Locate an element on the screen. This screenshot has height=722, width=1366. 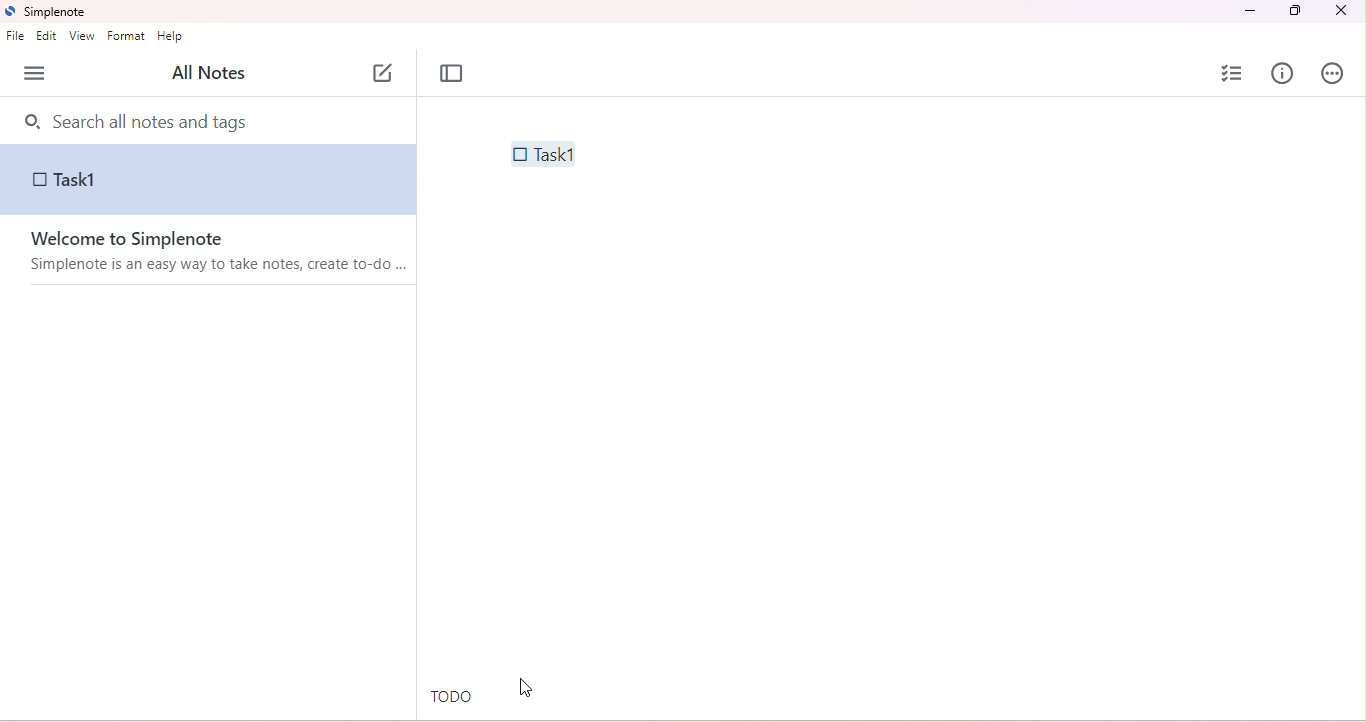
insert checklist is located at coordinates (1234, 73).